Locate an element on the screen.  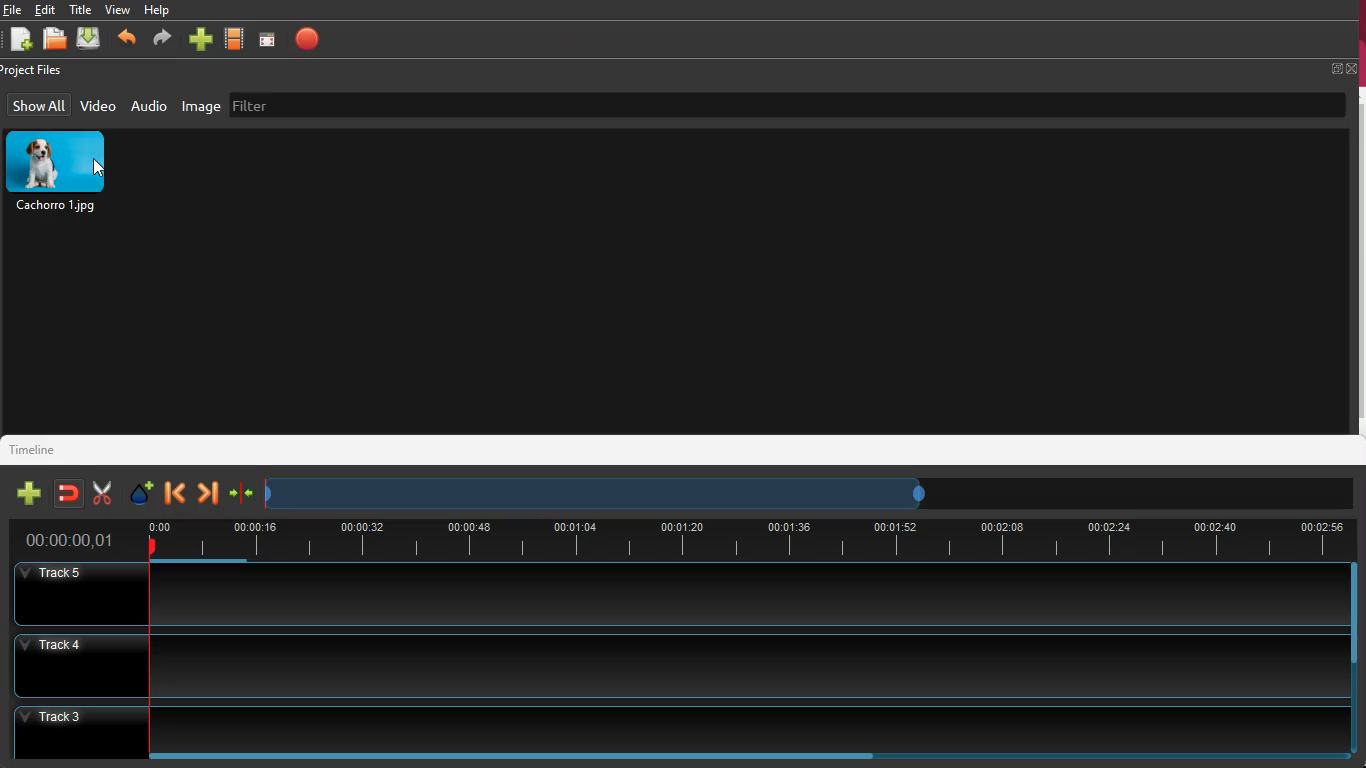
dowload is located at coordinates (92, 40).